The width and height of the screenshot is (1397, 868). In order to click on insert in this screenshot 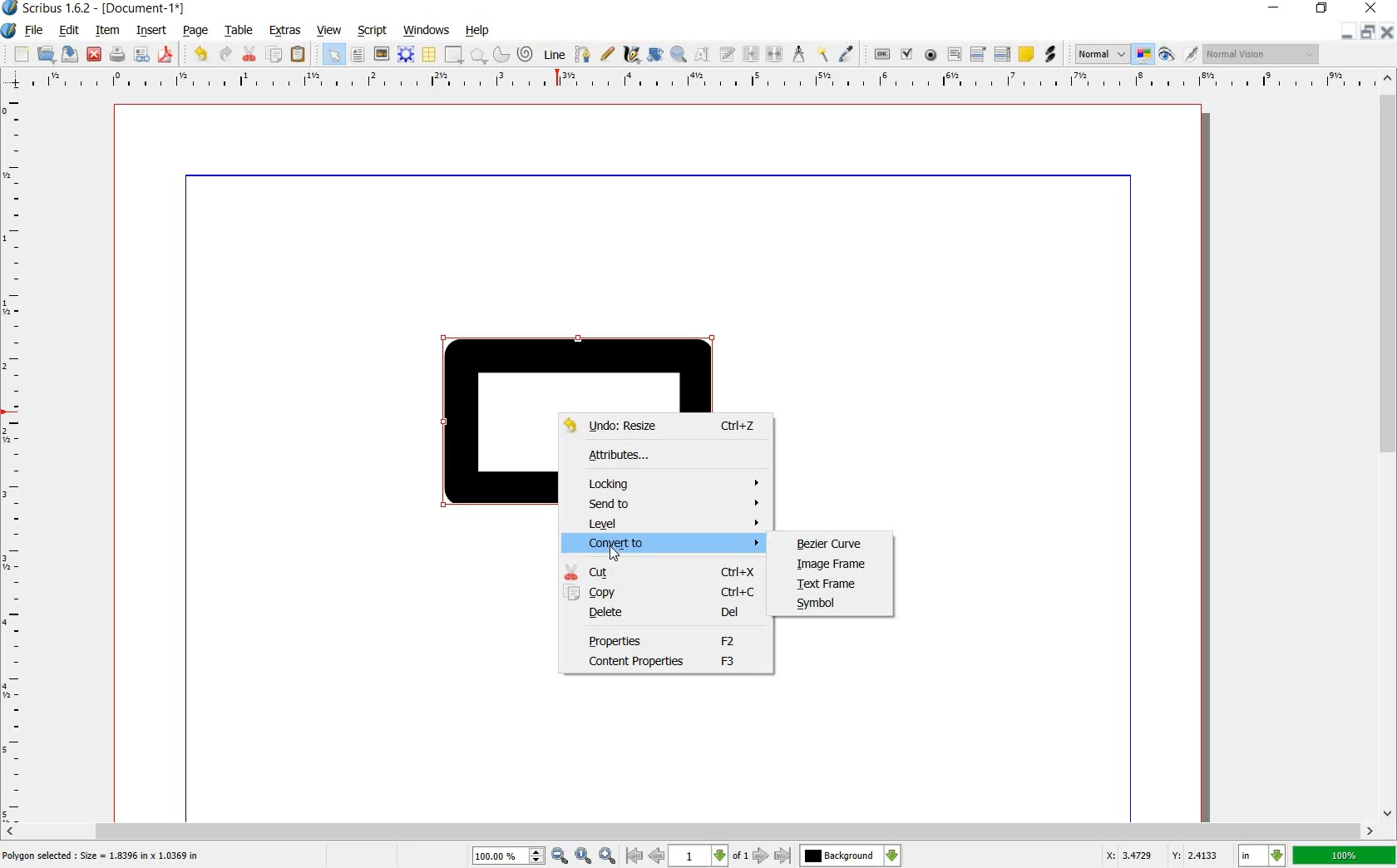, I will do `click(152, 32)`.